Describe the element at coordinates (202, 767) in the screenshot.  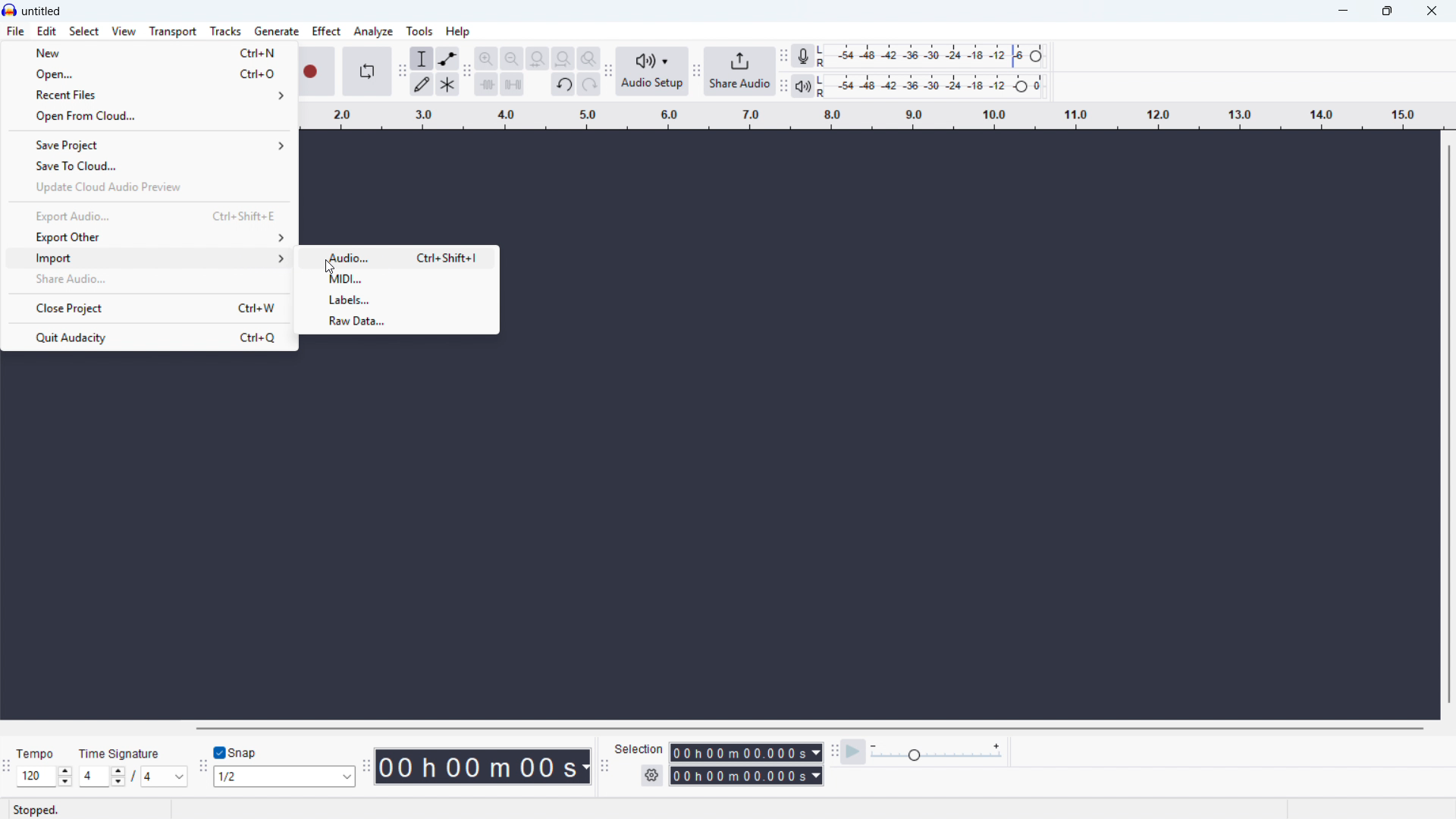
I see `Snapping toolbar ` at that location.